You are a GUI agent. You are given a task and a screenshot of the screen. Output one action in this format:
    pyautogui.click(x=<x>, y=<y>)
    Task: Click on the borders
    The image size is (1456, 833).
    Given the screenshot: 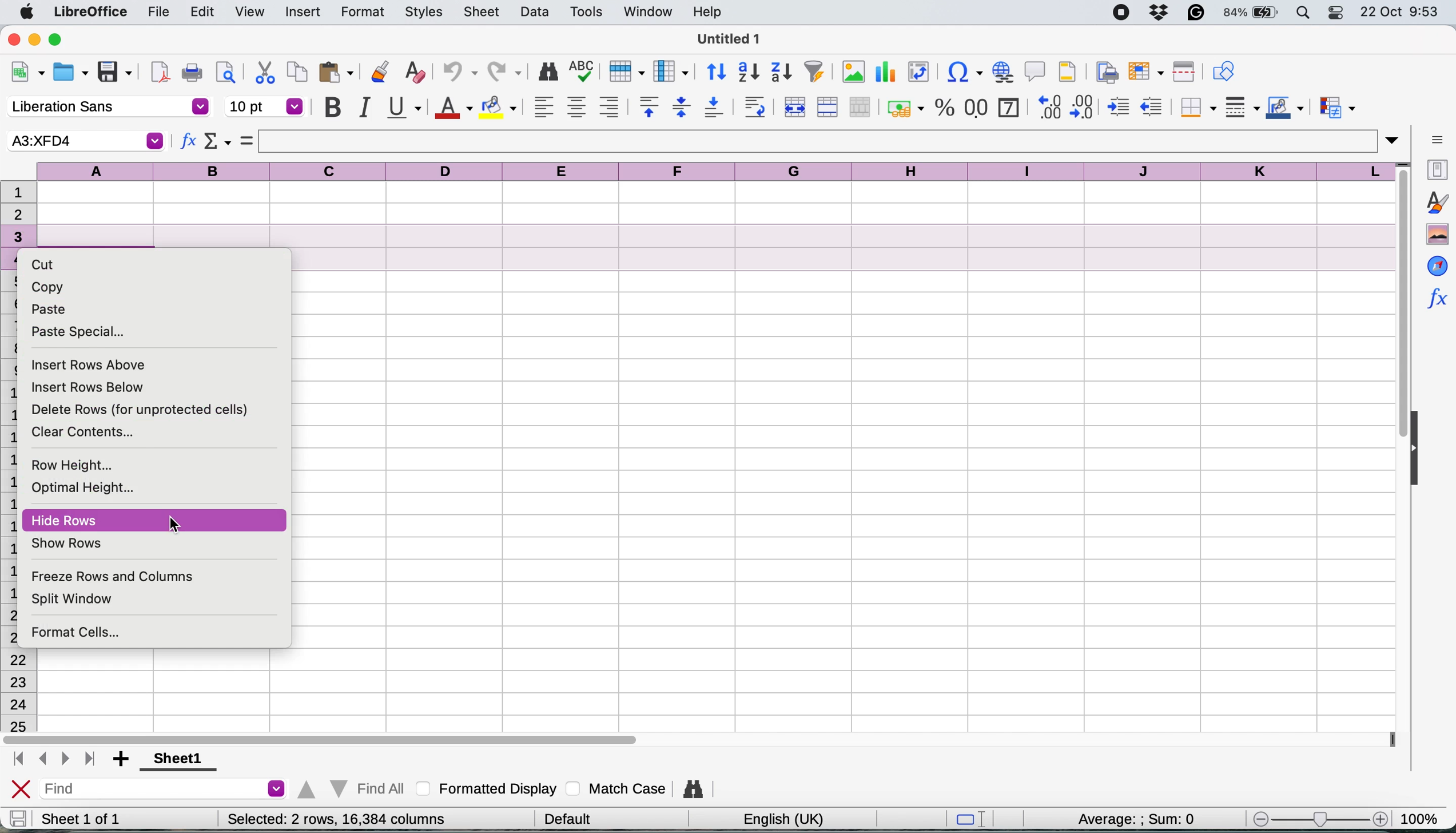 What is the action you would take?
    pyautogui.click(x=1196, y=108)
    